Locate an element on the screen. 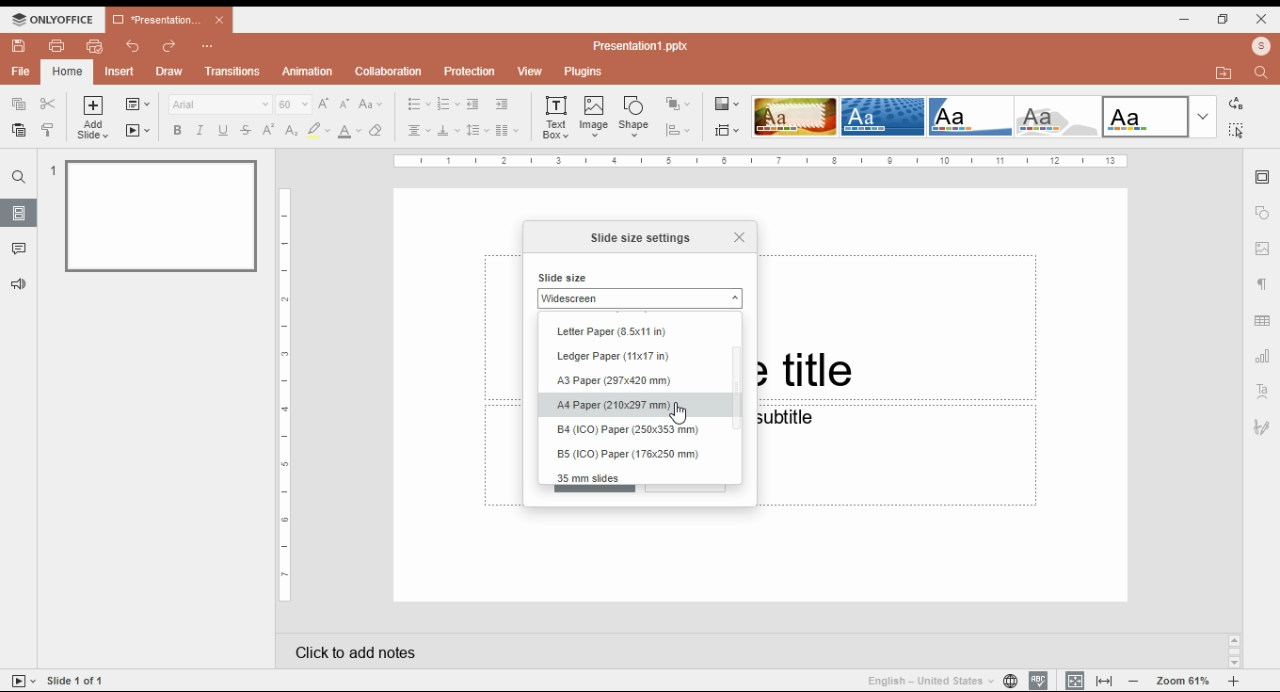 This screenshot has width=1280, height=692. fit to slide is located at coordinates (1075, 680).